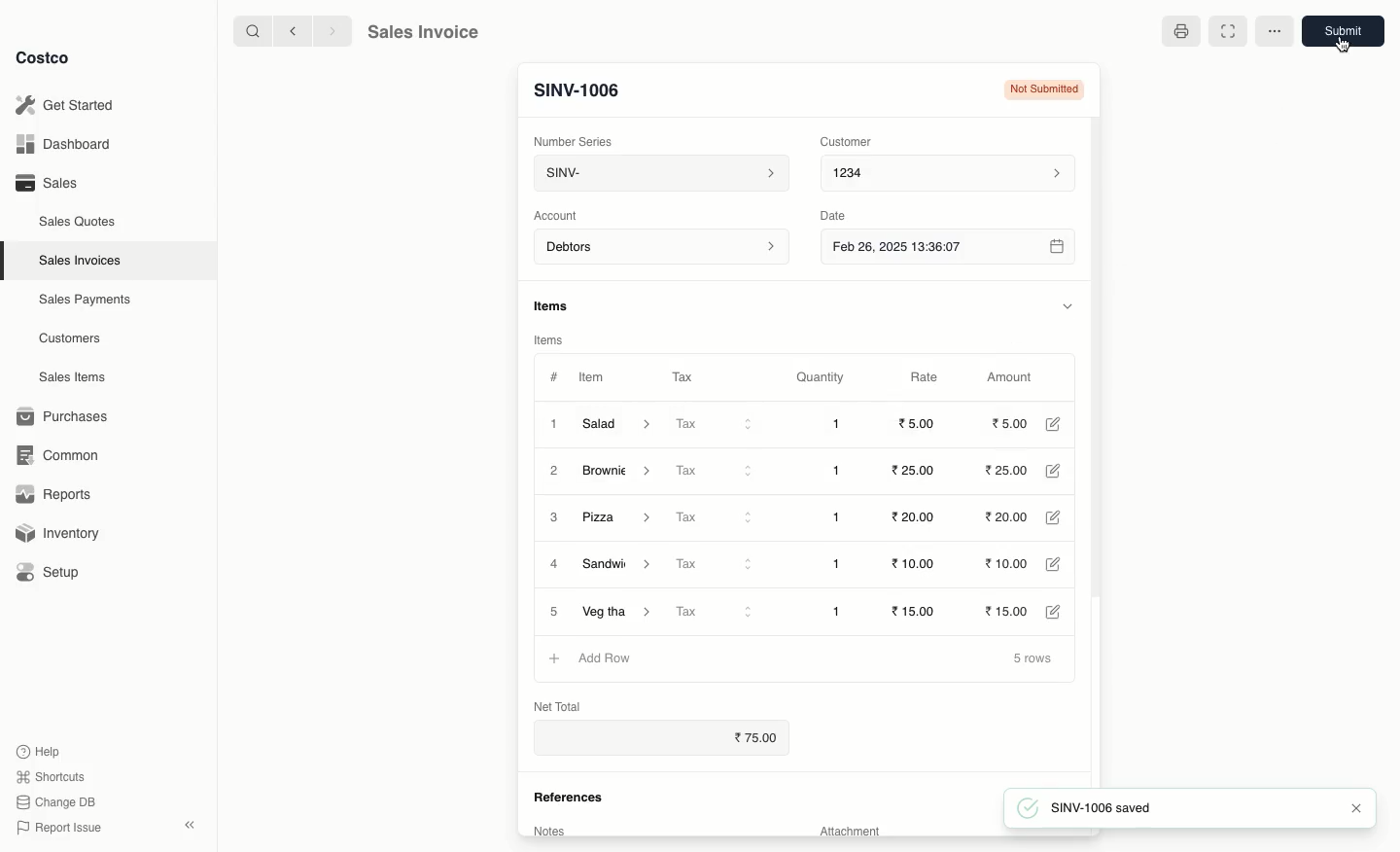  What do you see at coordinates (560, 215) in the screenshot?
I see `‘Account` at bounding box center [560, 215].